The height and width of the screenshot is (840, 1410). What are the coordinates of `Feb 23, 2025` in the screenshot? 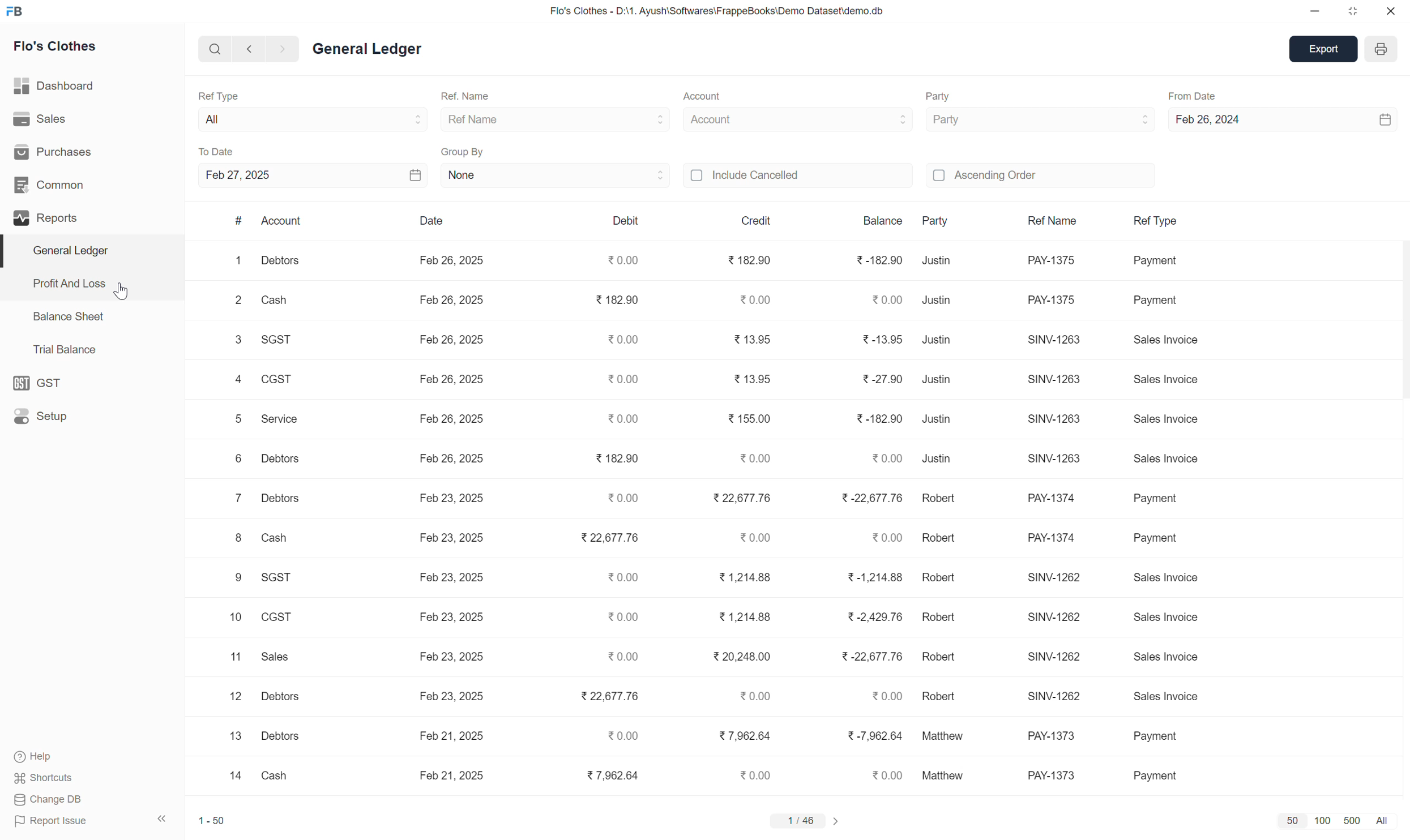 It's located at (450, 619).